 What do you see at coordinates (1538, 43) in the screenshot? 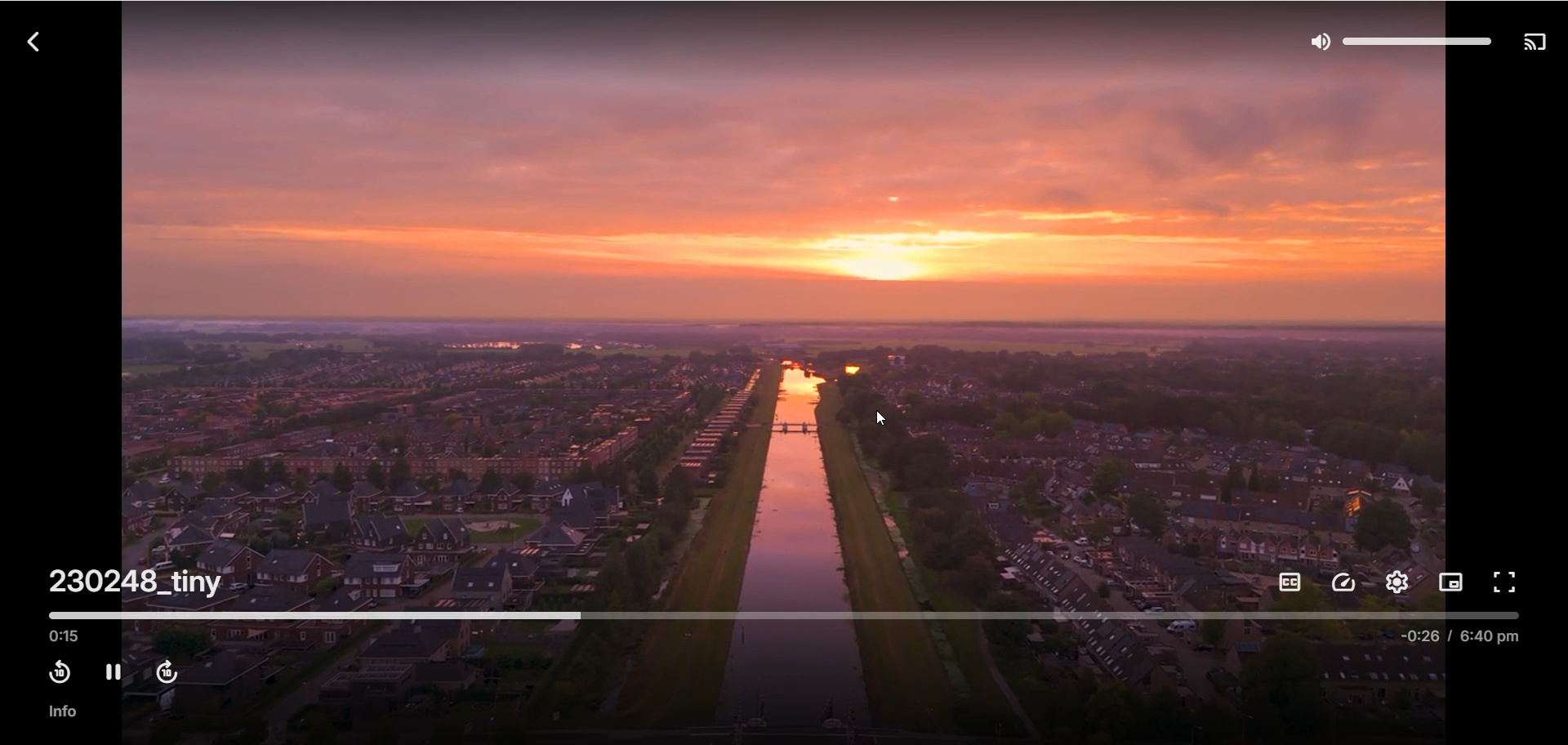
I see `play on another device` at bounding box center [1538, 43].